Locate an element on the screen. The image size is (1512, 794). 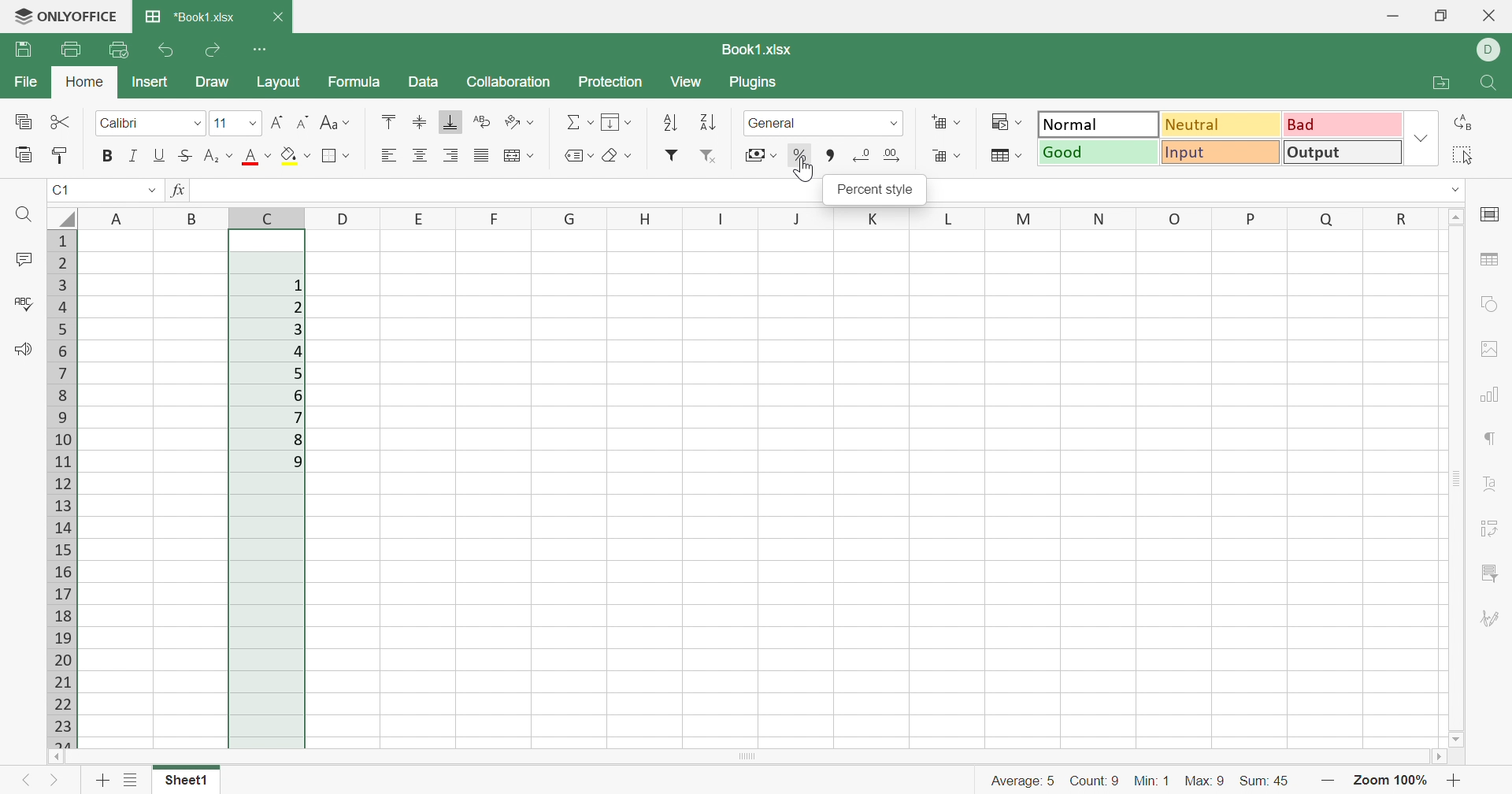
Clear is located at coordinates (617, 157).